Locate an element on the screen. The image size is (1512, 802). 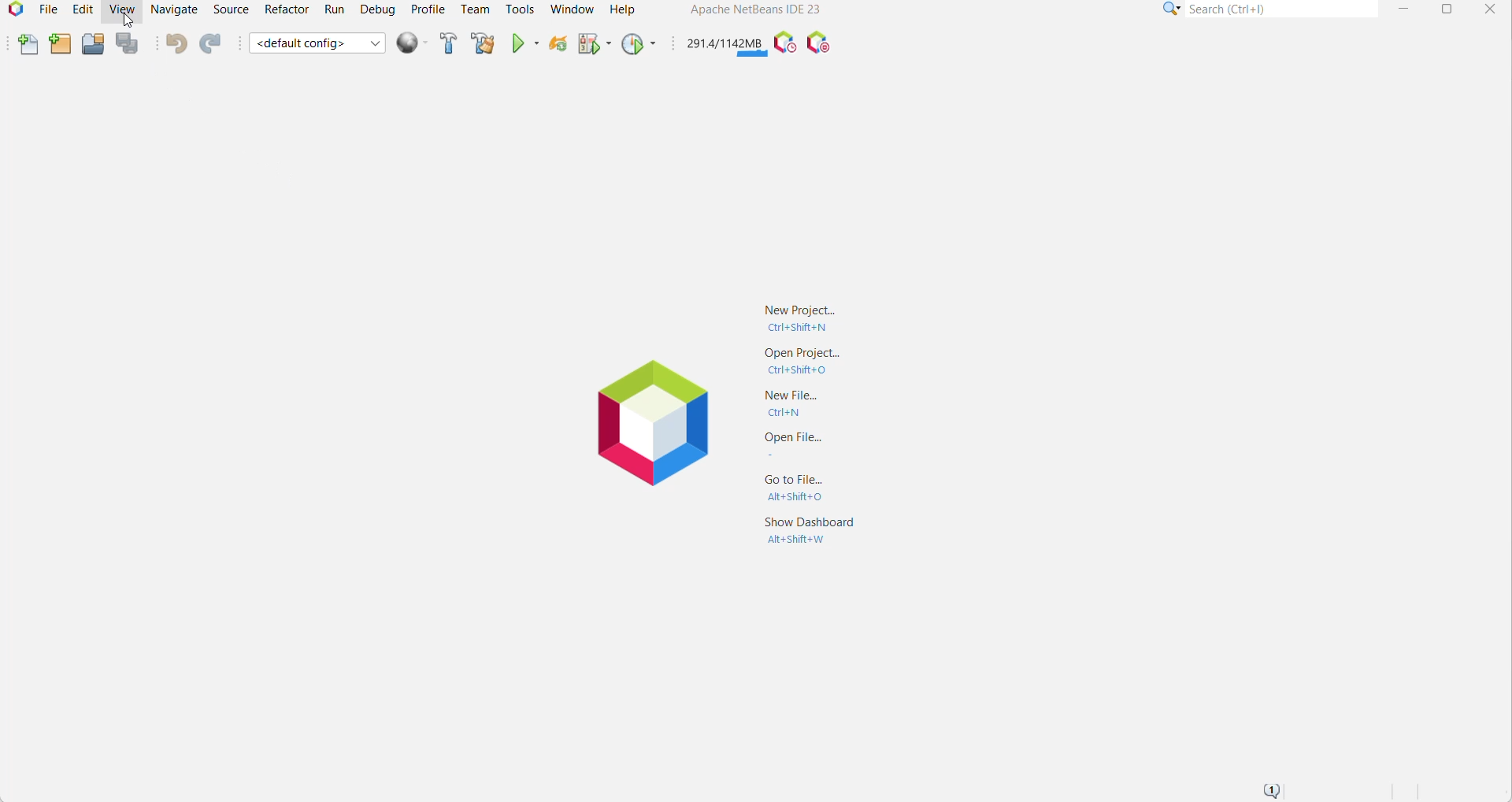
Debug is located at coordinates (378, 9).